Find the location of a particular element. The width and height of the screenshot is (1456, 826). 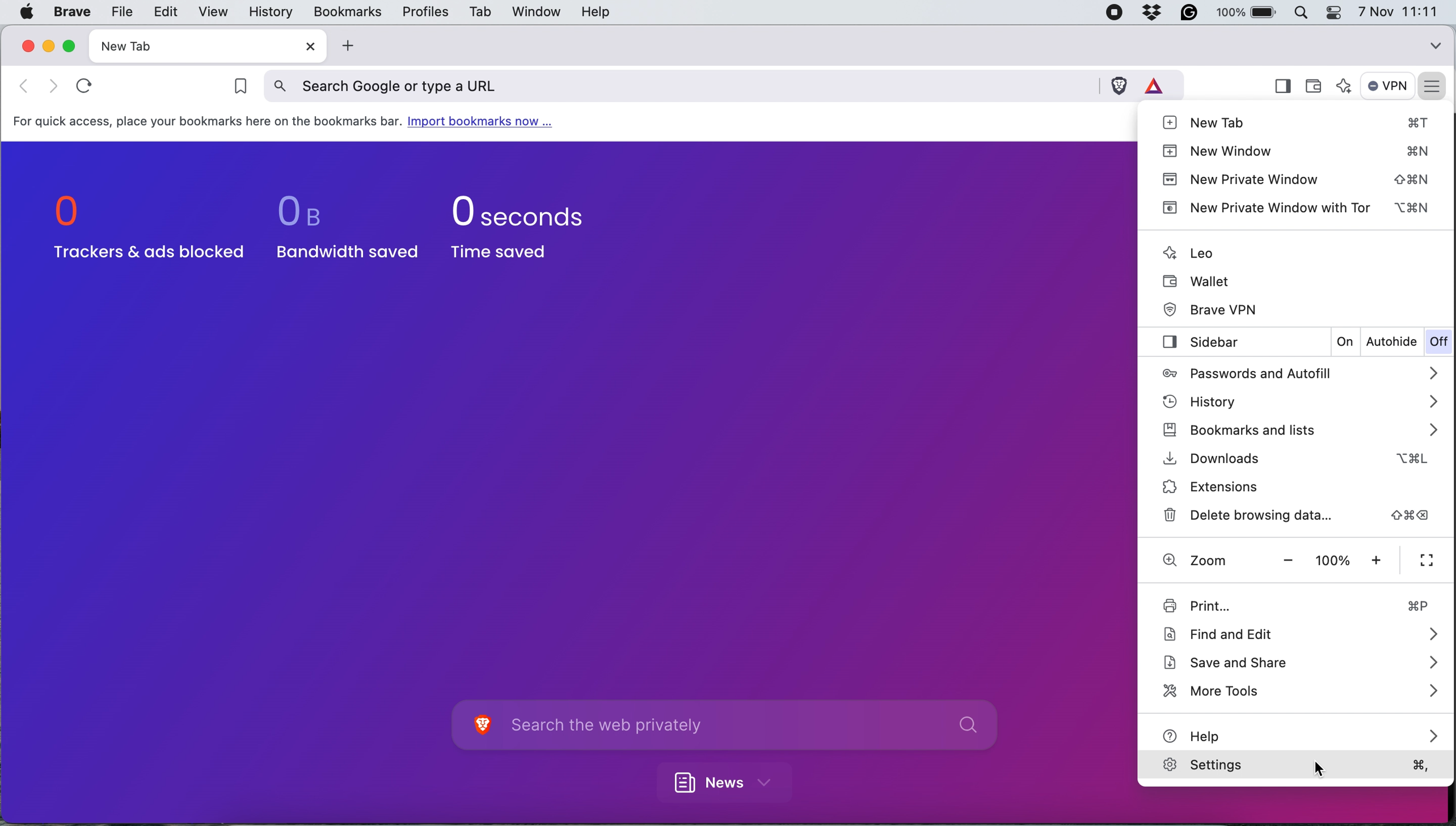

grammarly is located at coordinates (1193, 13).